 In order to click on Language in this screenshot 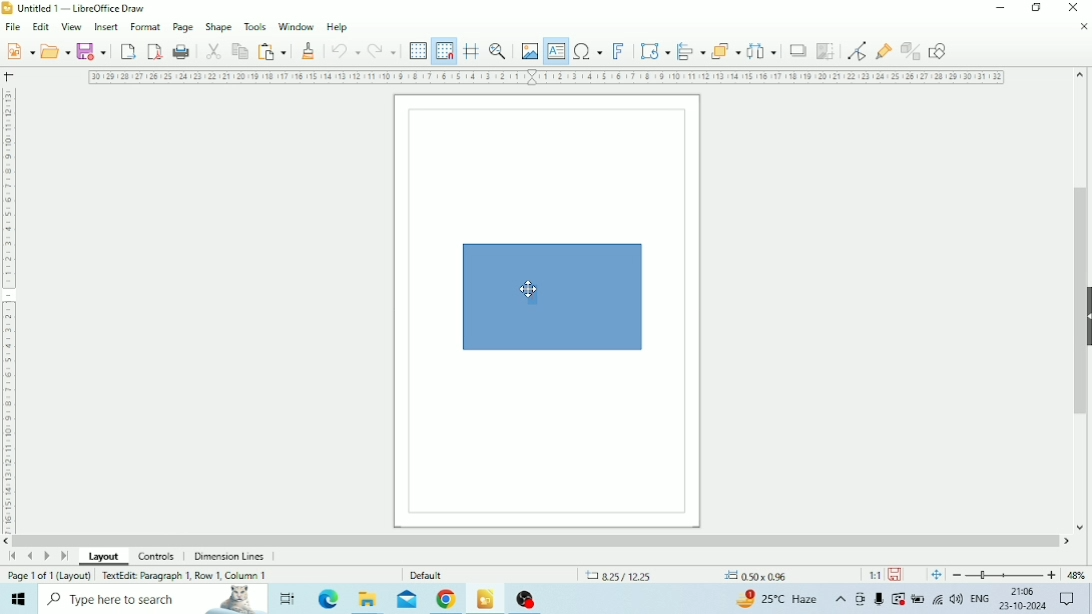, I will do `click(980, 597)`.